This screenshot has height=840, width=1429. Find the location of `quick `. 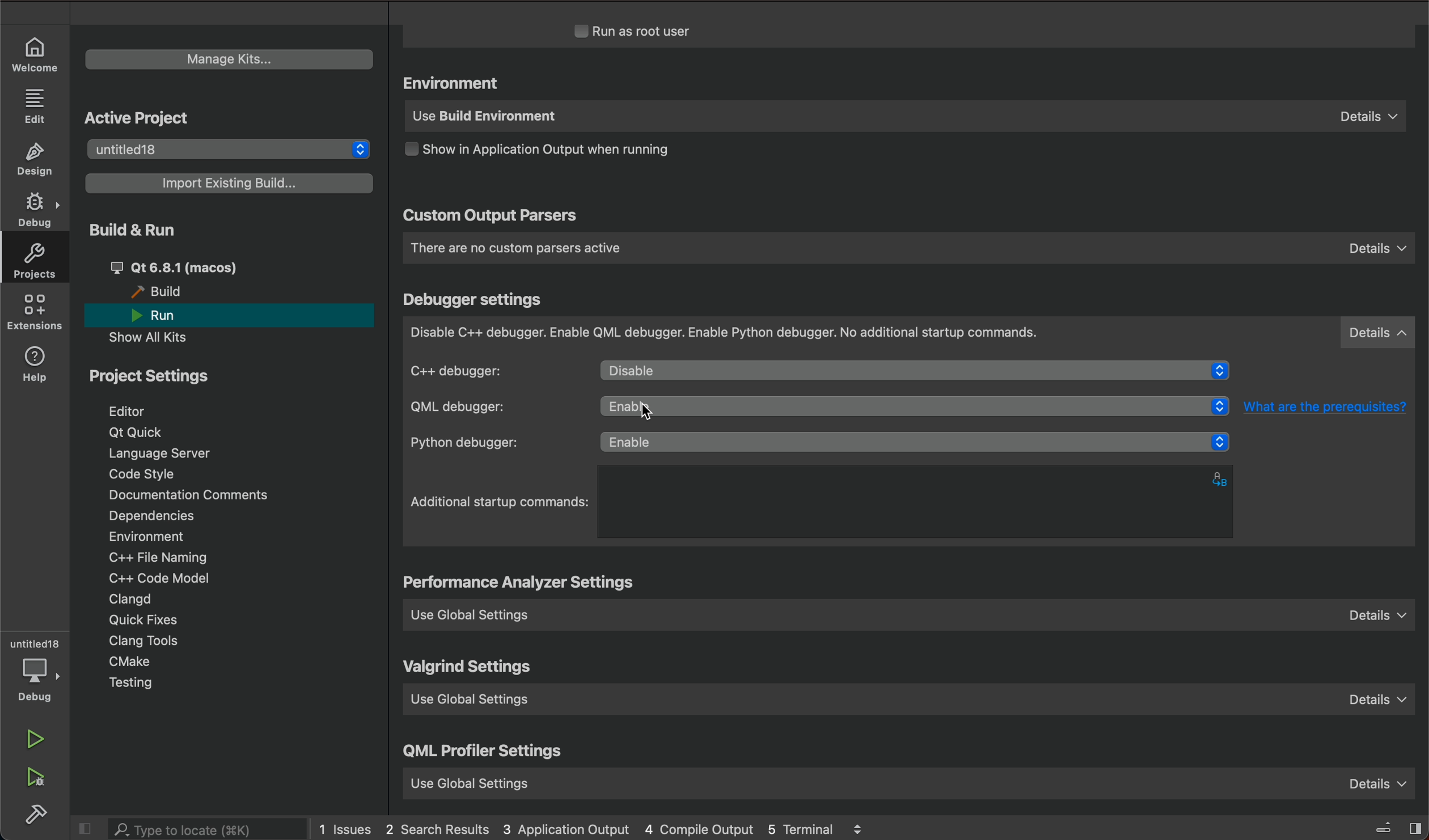

quick  is located at coordinates (147, 621).